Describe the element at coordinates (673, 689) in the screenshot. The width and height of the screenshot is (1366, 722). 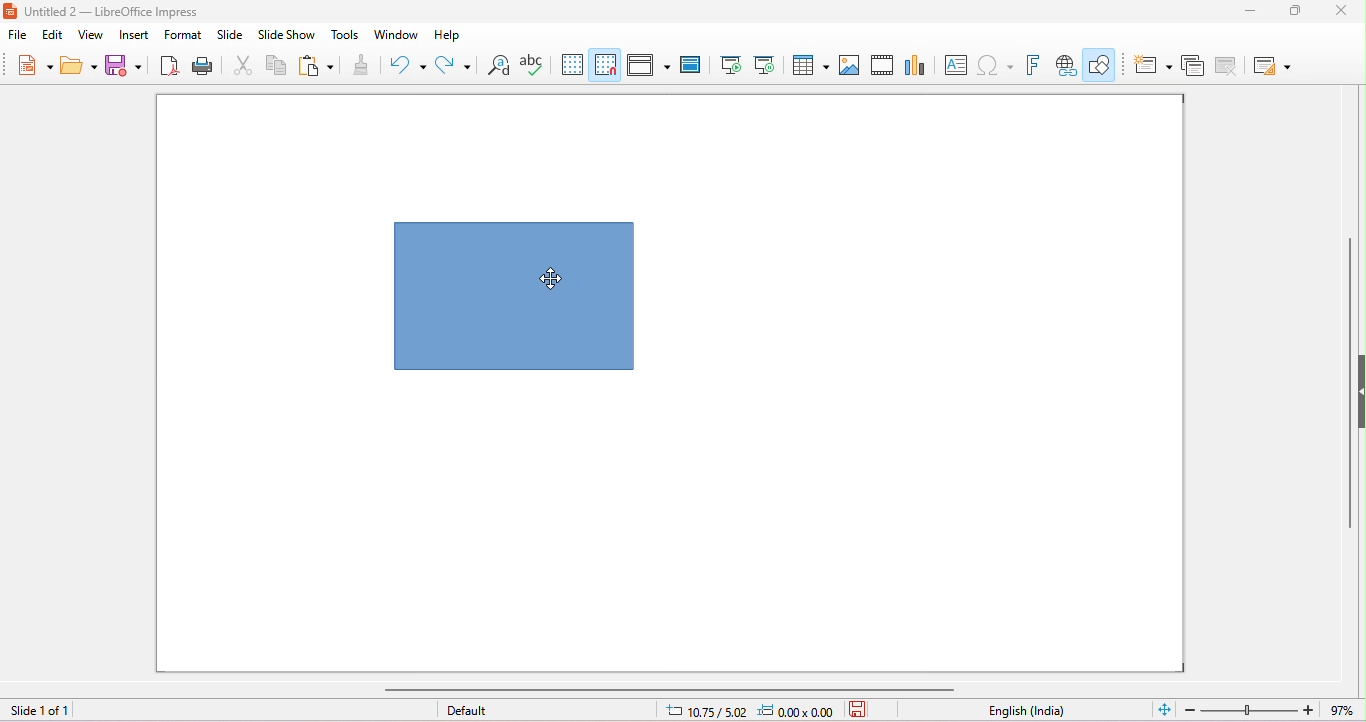
I see `horizontal scroll bar` at that location.